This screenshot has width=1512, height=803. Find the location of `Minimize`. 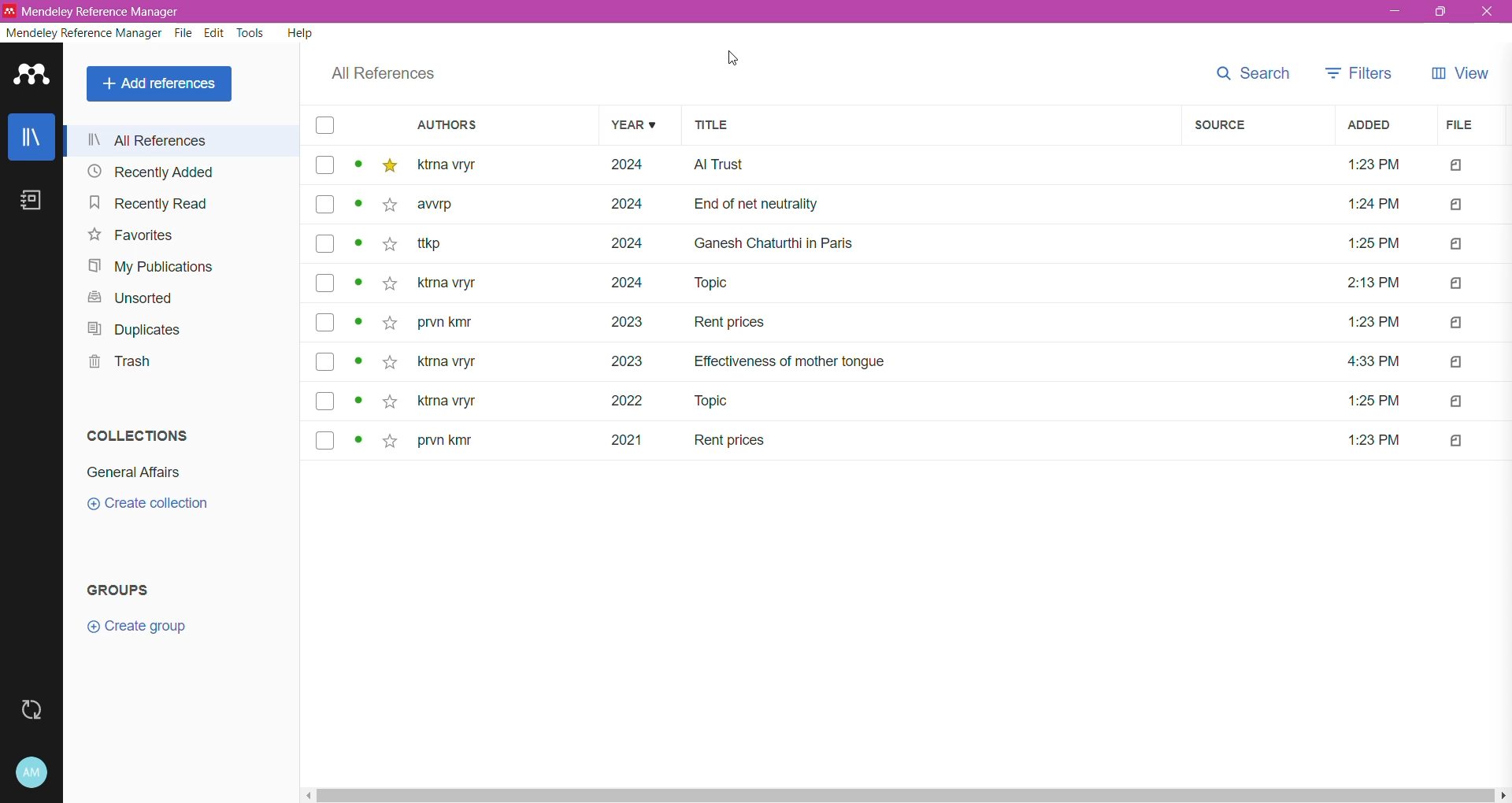

Minimize is located at coordinates (1396, 13).